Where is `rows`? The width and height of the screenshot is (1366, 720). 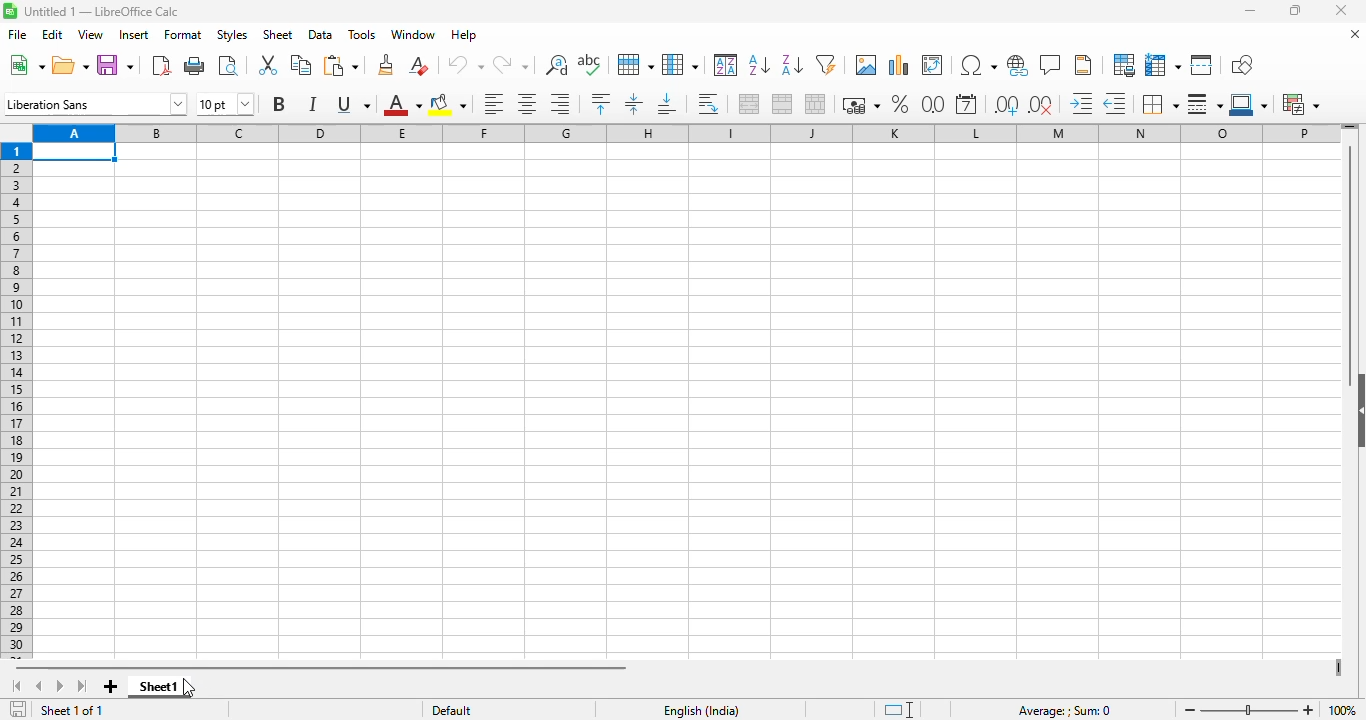 rows is located at coordinates (16, 401).